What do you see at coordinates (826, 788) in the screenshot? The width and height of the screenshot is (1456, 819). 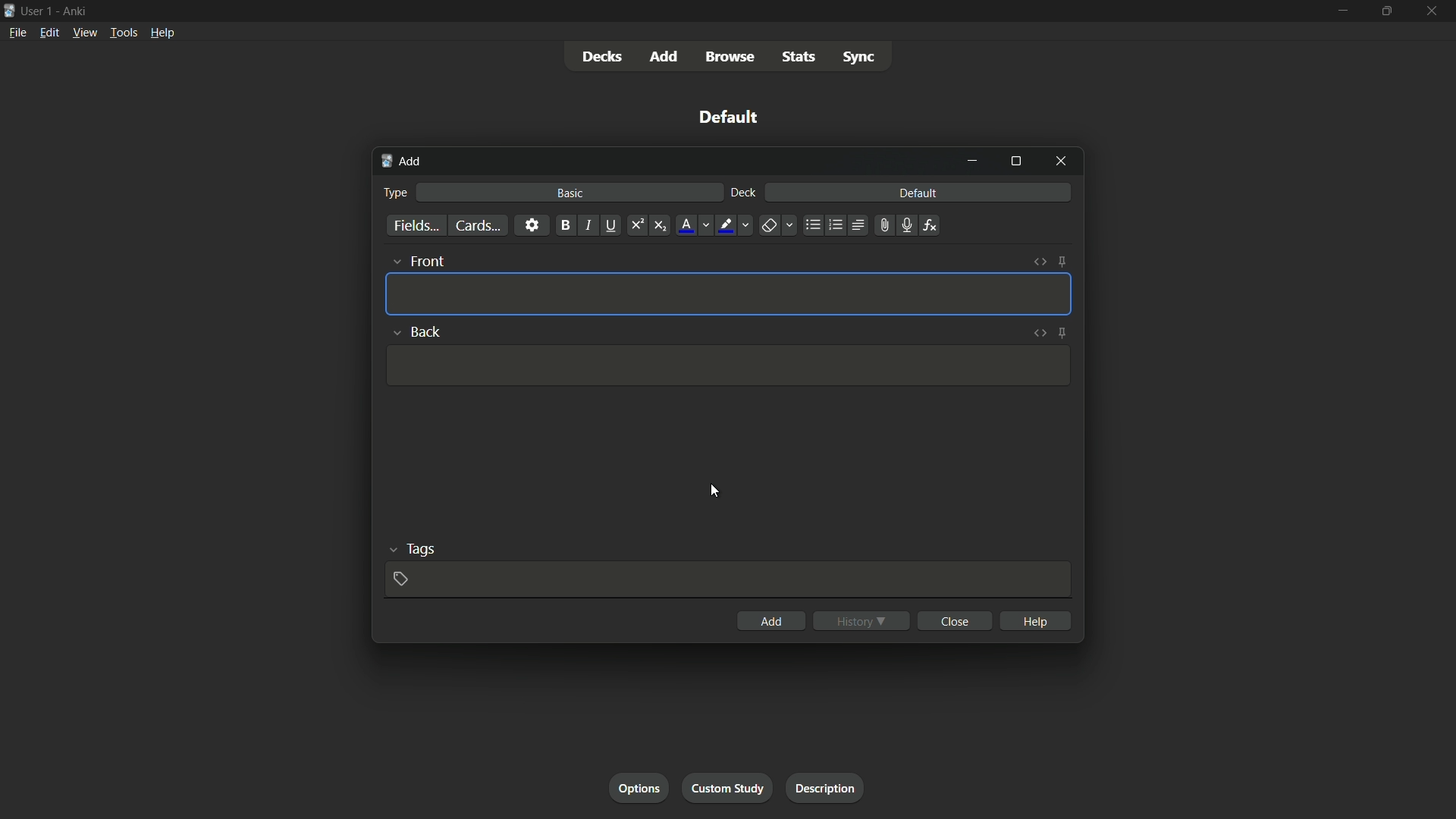 I see `description` at bounding box center [826, 788].